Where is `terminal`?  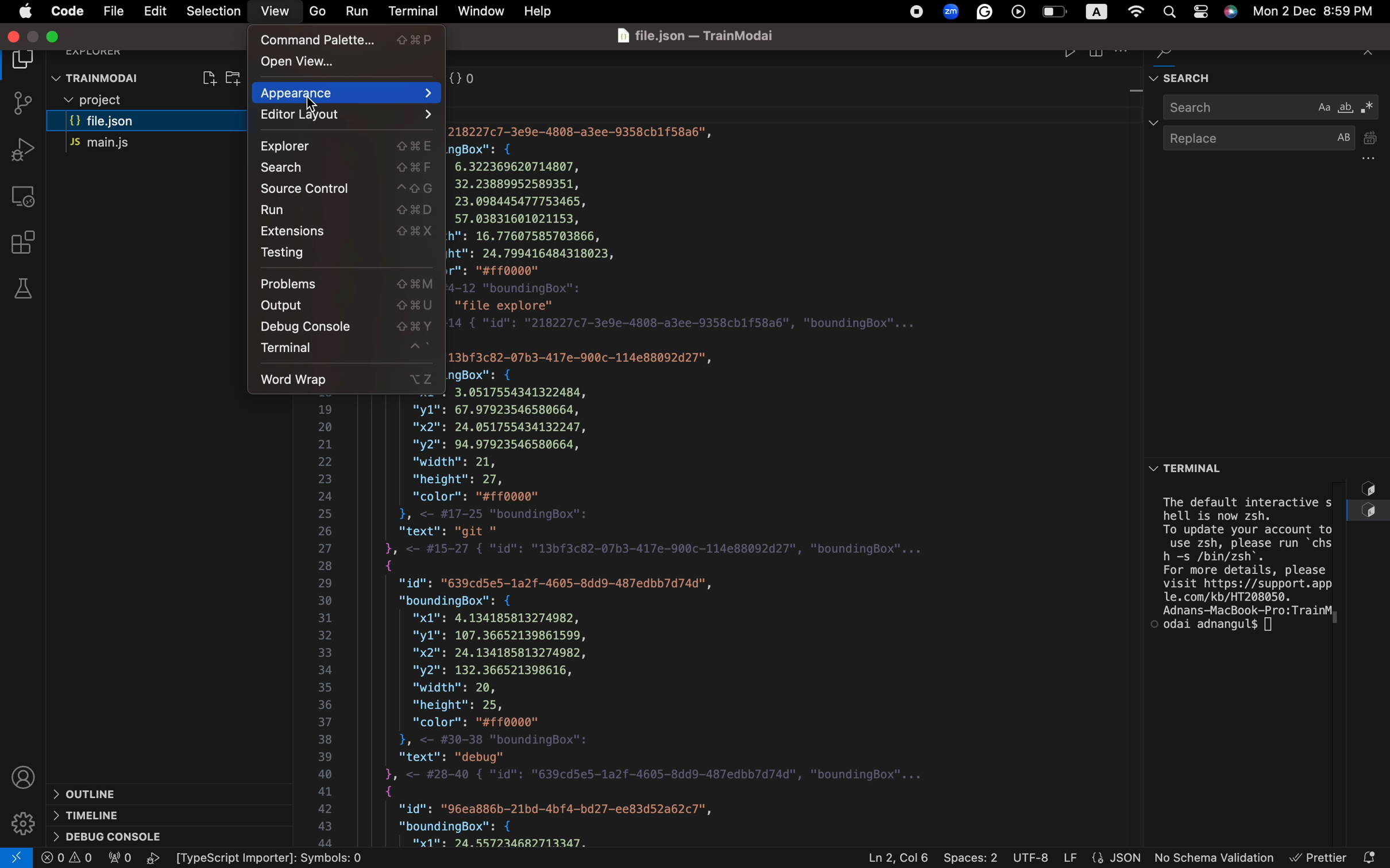 terminal is located at coordinates (346, 350).